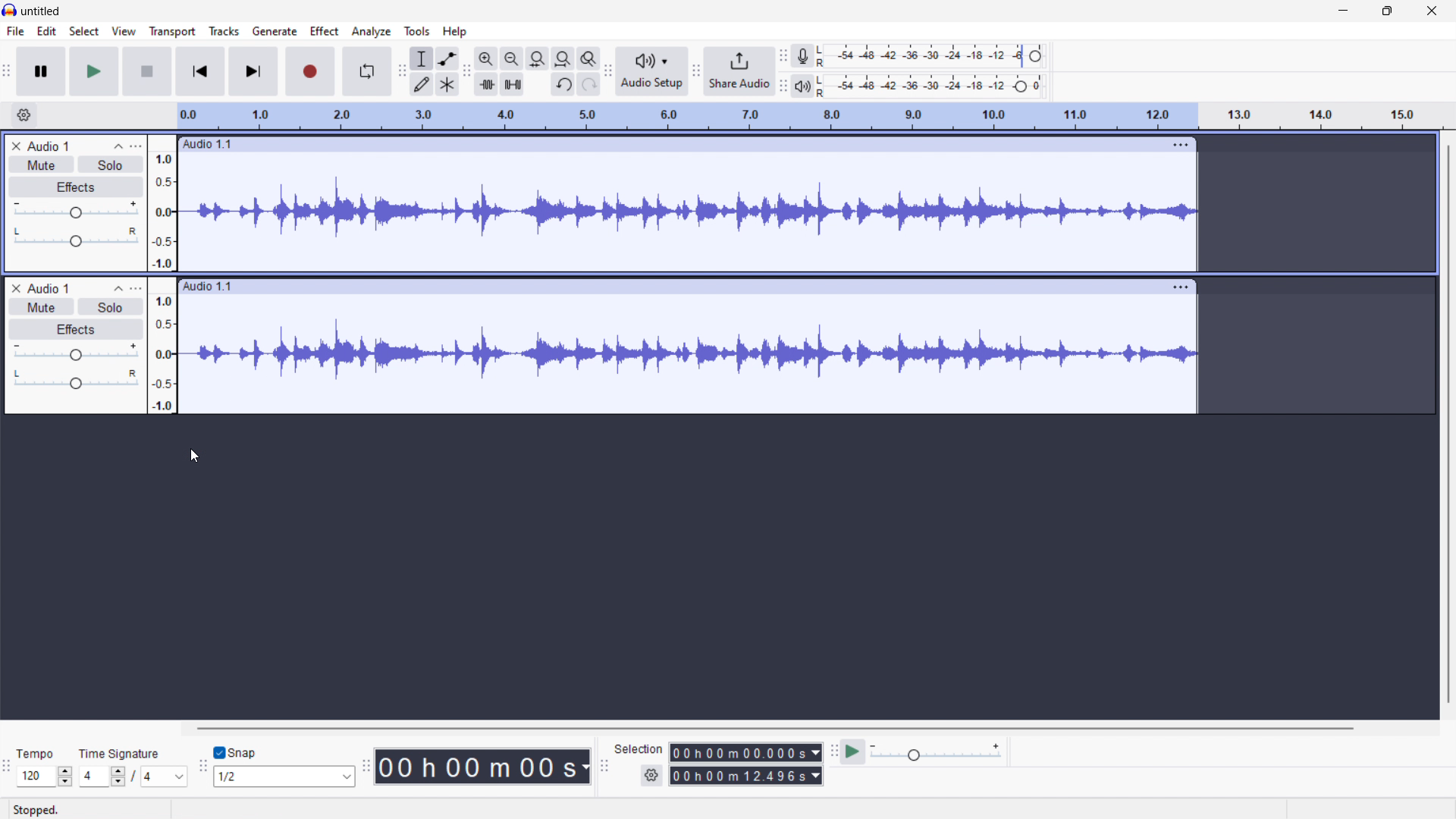  Describe the element at coordinates (124, 31) in the screenshot. I see `view` at that location.